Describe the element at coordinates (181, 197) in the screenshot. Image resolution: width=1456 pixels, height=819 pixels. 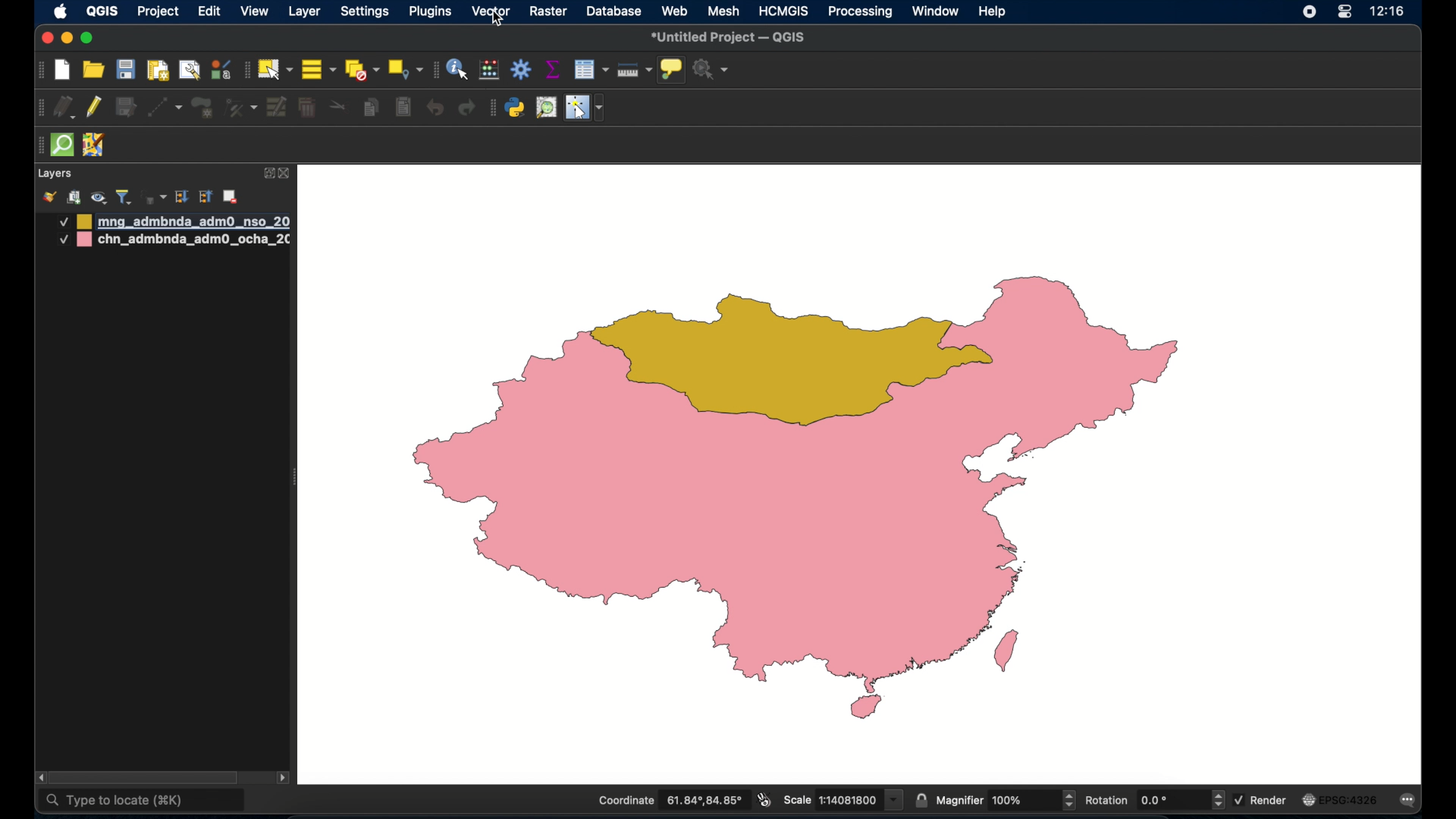
I see `expand all` at that location.